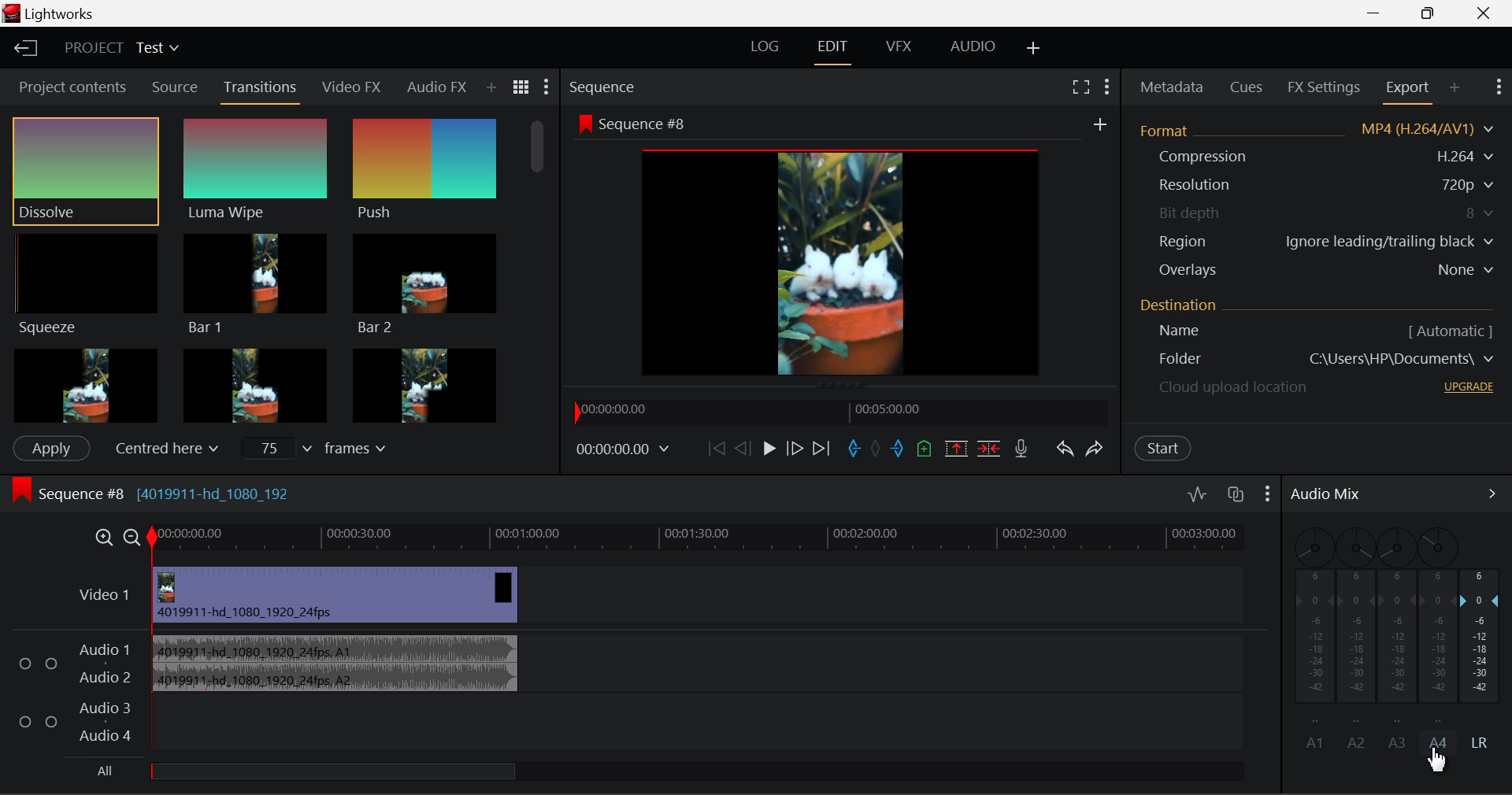  What do you see at coordinates (256, 169) in the screenshot?
I see `Luma Wipe` at bounding box center [256, 169].